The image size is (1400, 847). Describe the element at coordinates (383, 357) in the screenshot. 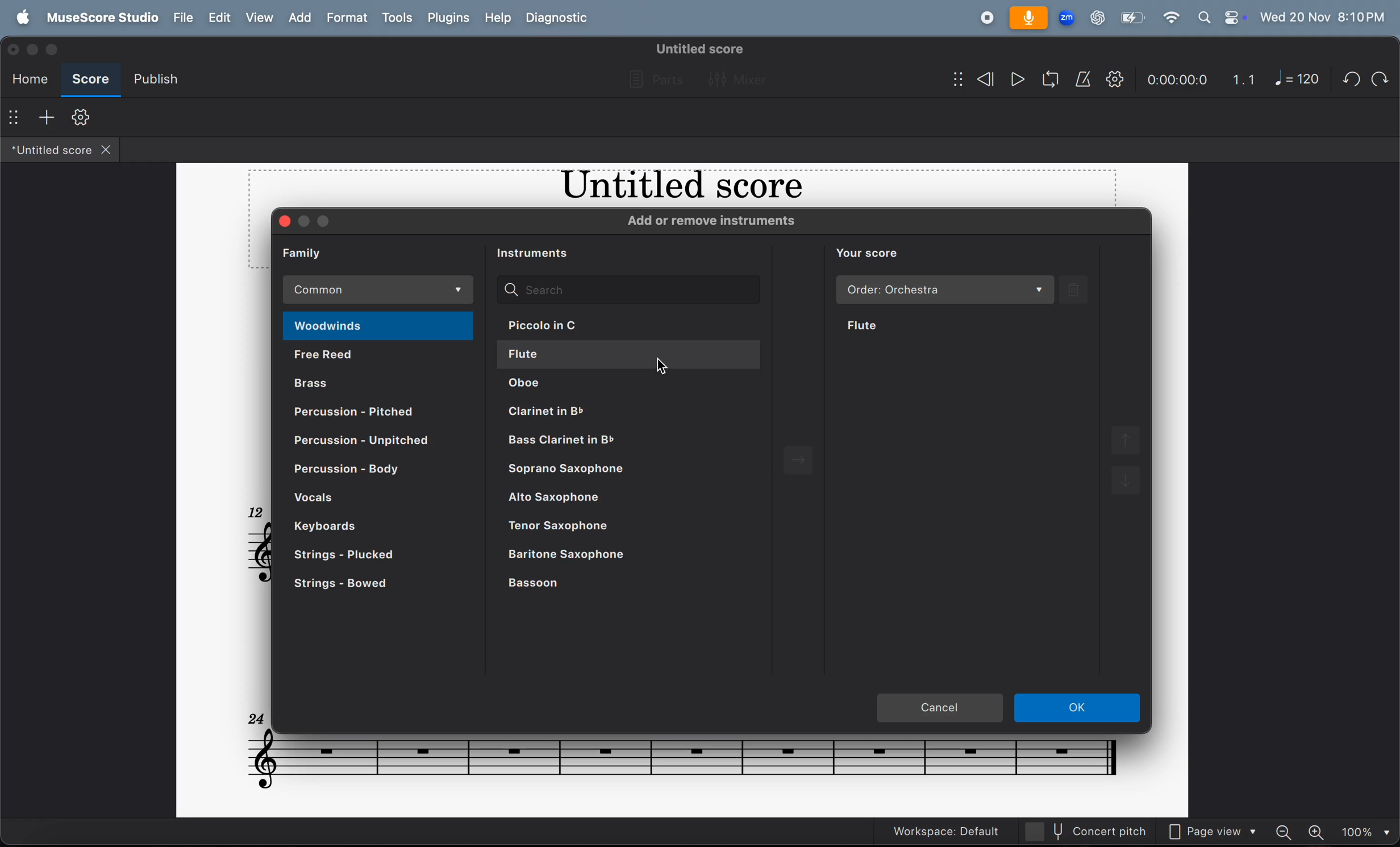

I see `free reed` at that location.